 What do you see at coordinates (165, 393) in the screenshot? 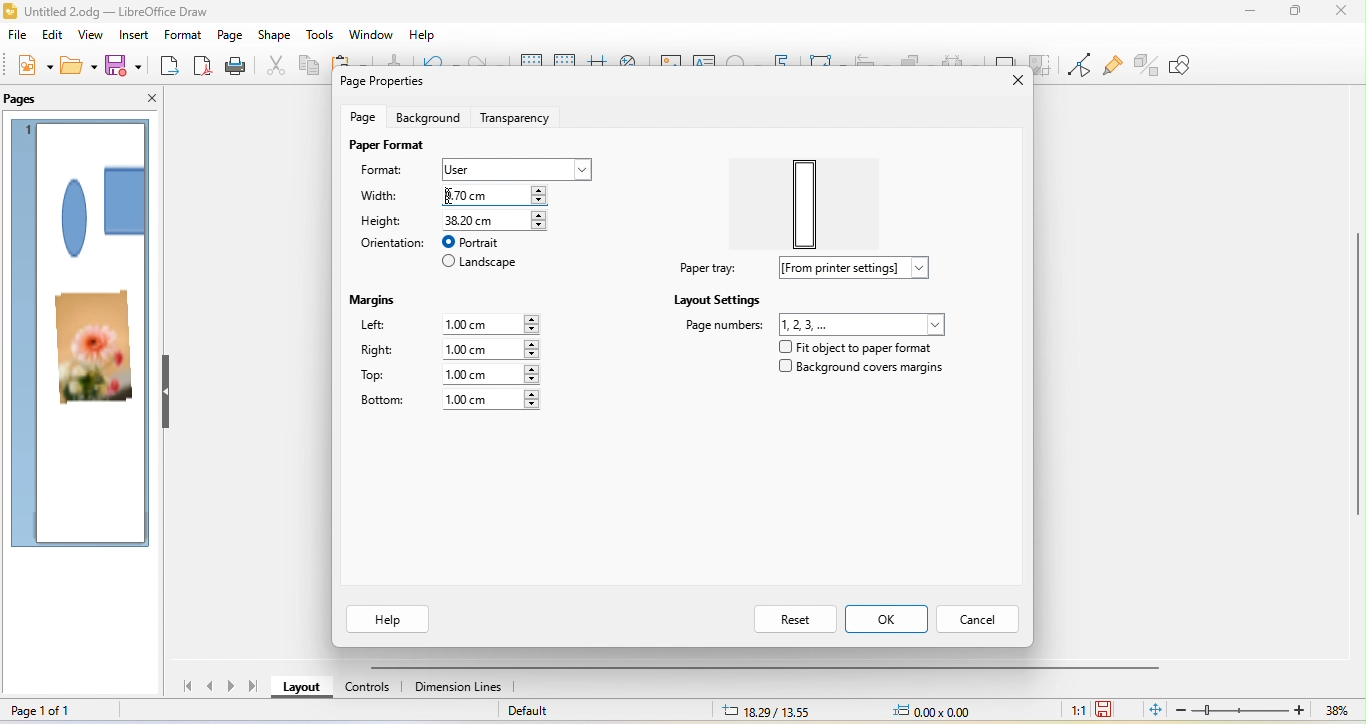
I see `hide` at bounding box center [165, 393].